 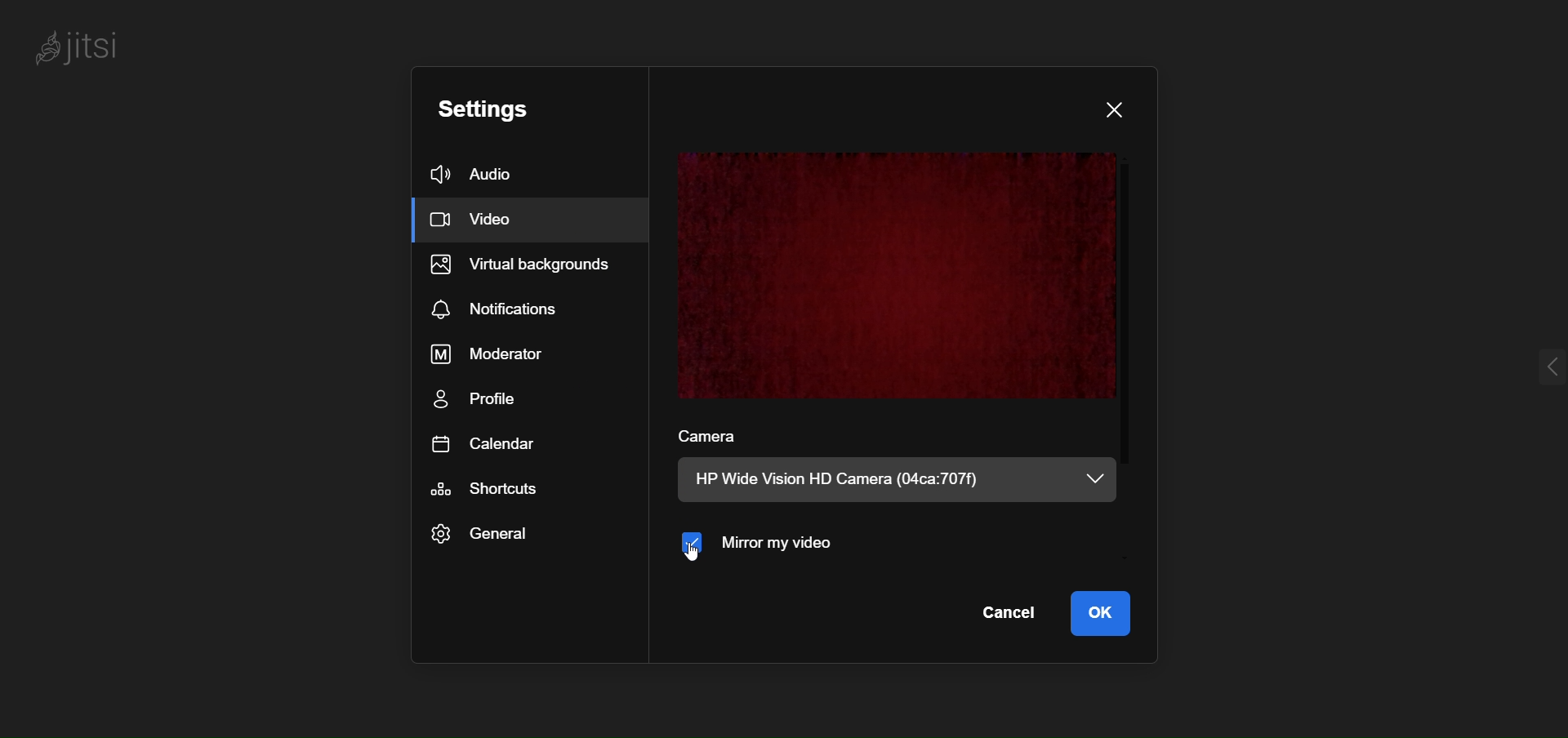 What do you see at coordinates (481, 536) in the screenshot?
I see `general` at bounding box center [481, 536].